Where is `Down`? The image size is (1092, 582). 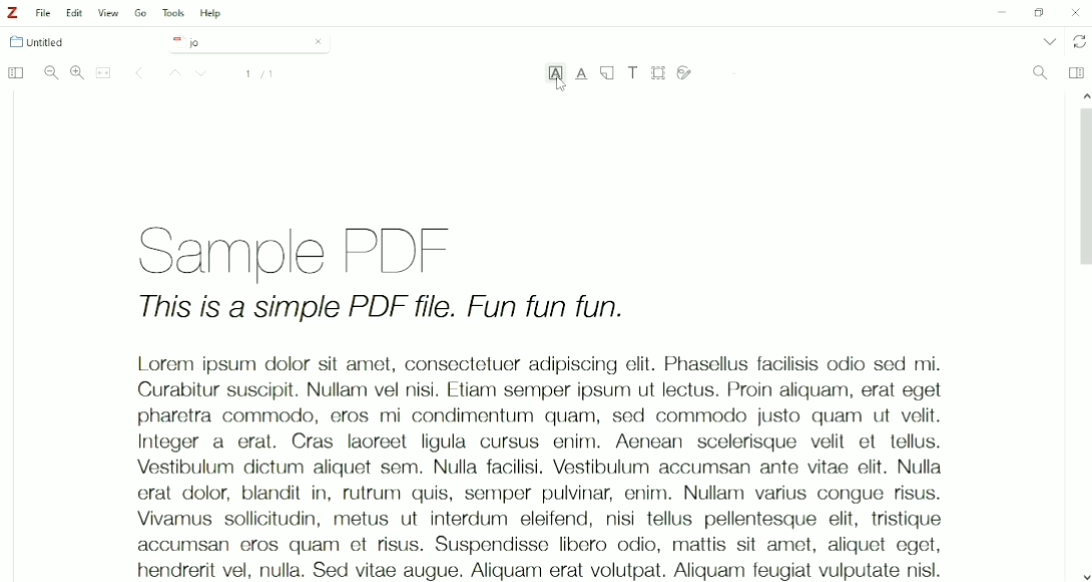
Down is located at coordinates (1085, 575).